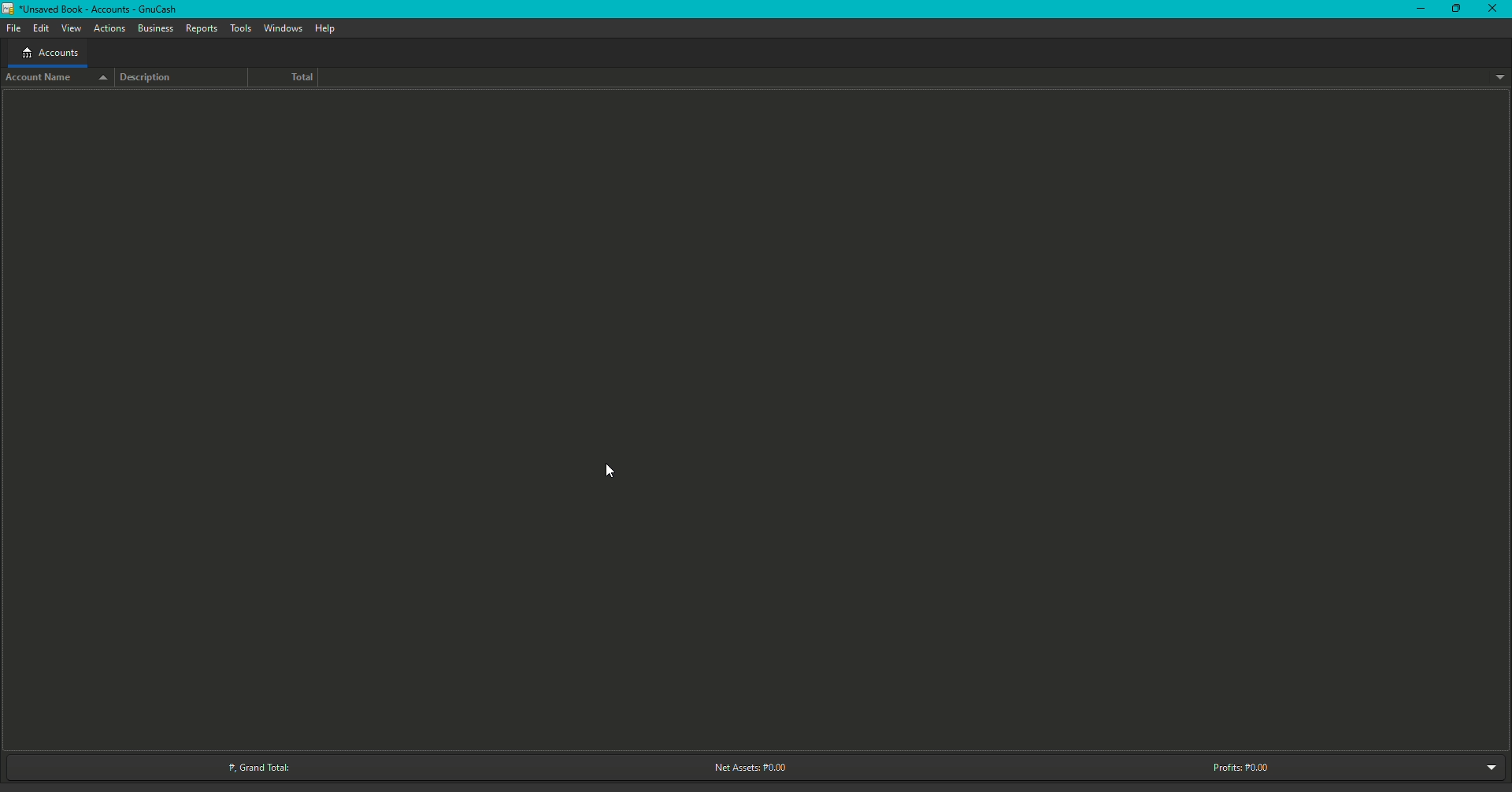 The width and height of the screenshot is (1512, 792). I want to click on Accounts, so click(47, 54).